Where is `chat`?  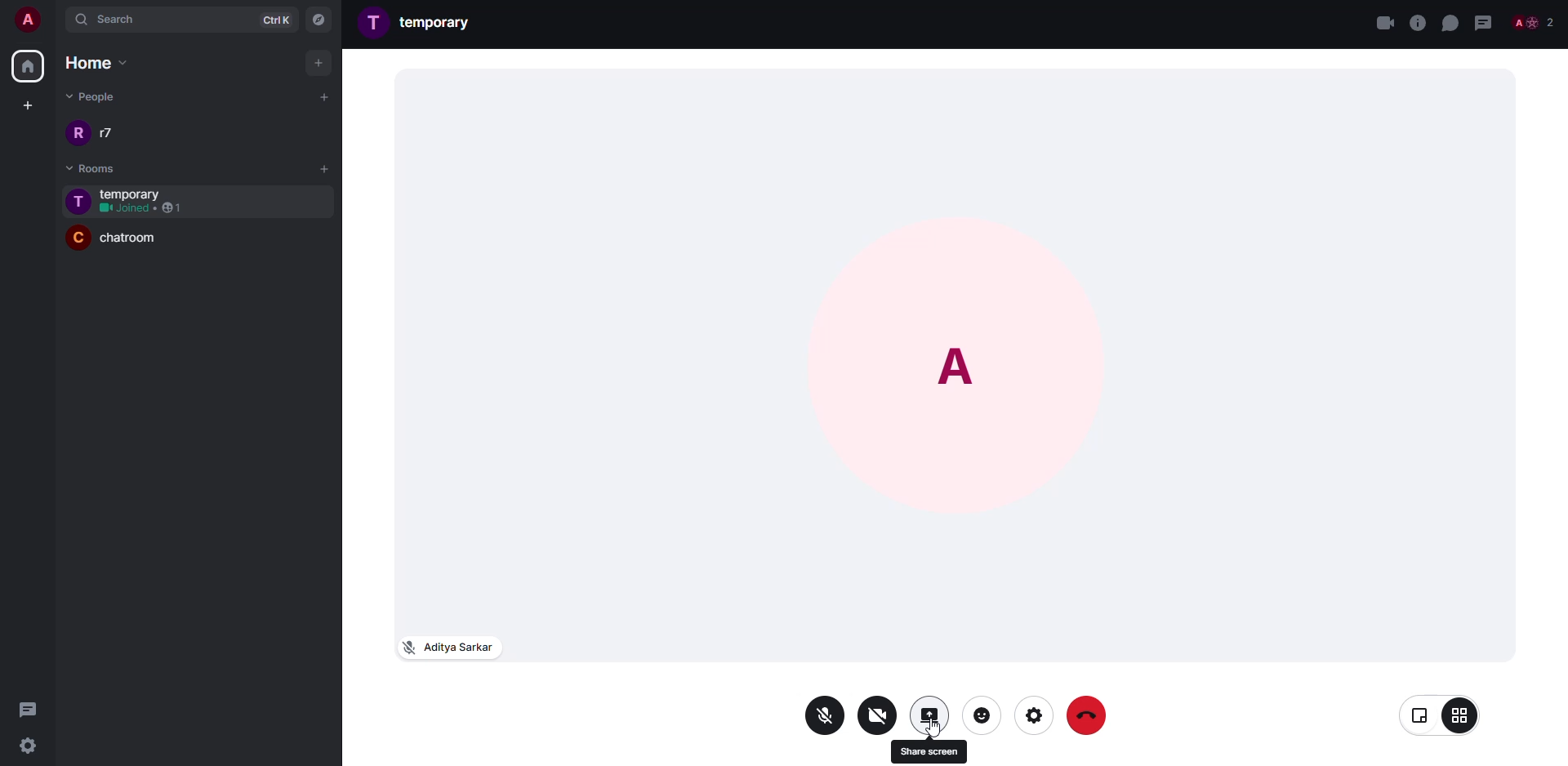 chat is located at coordinates (1450, 22).